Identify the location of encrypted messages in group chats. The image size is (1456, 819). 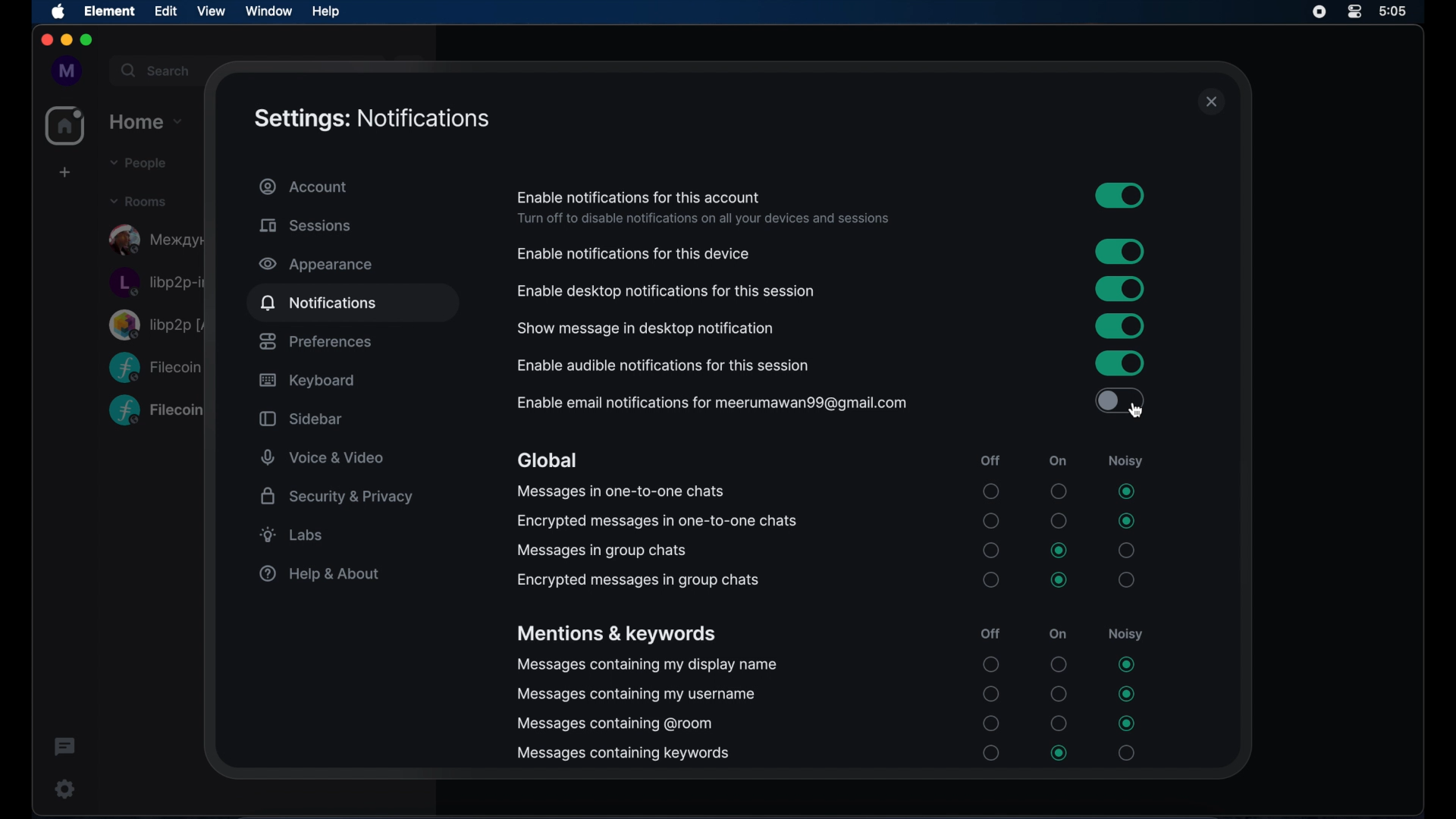
(638, 581).